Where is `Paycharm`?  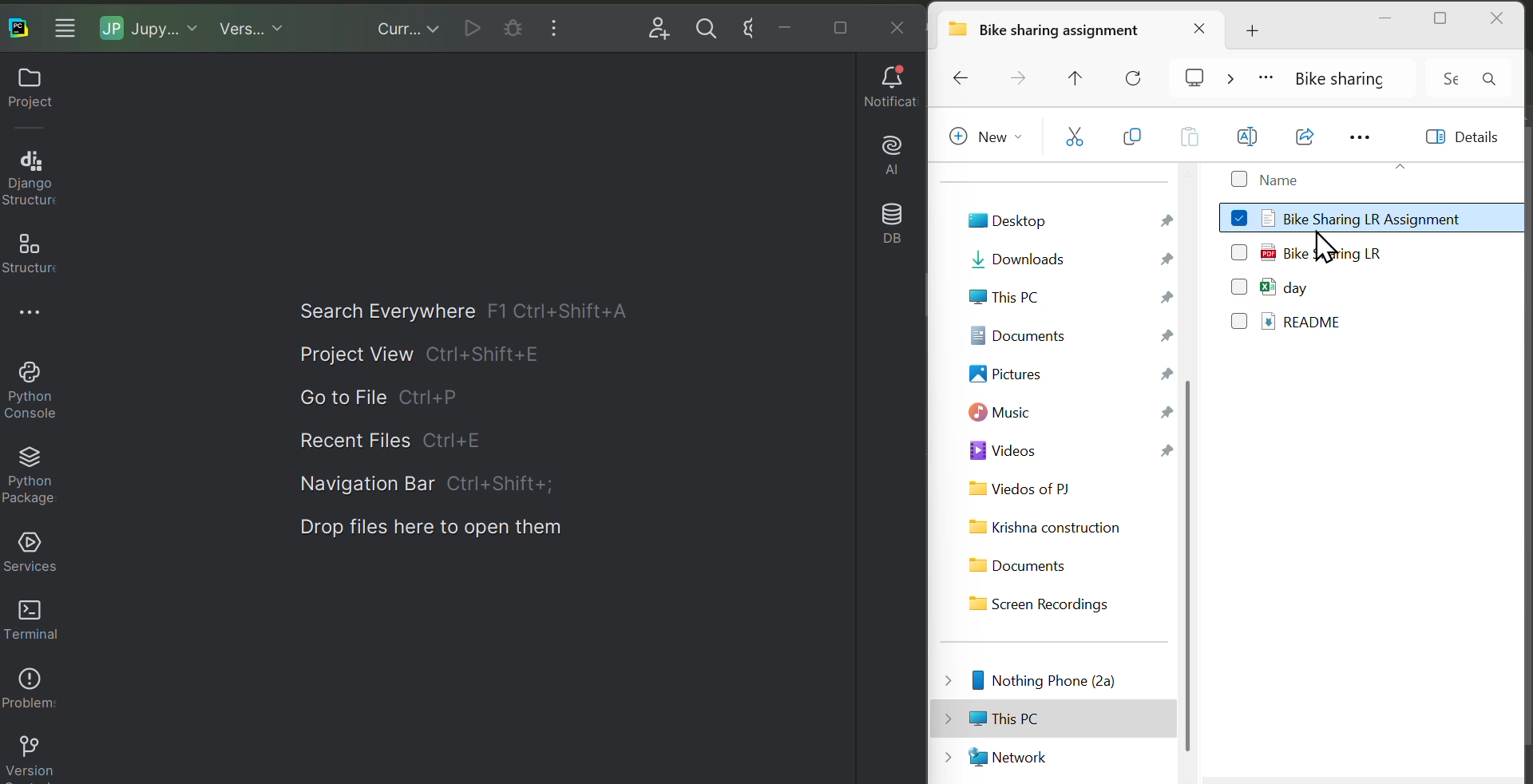 Paycharm is located at coordinates (20, 26).